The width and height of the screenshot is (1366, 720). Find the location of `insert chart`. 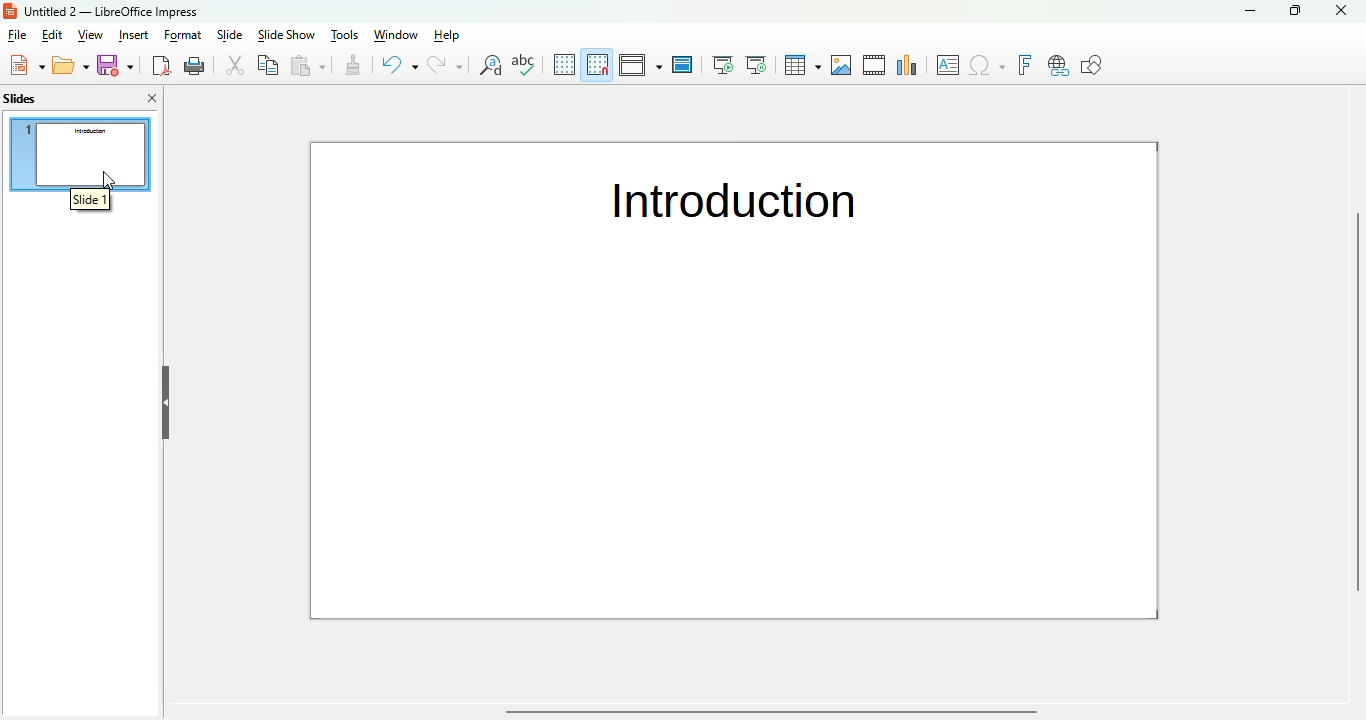

insert chart is located at coordinates (908, 65).